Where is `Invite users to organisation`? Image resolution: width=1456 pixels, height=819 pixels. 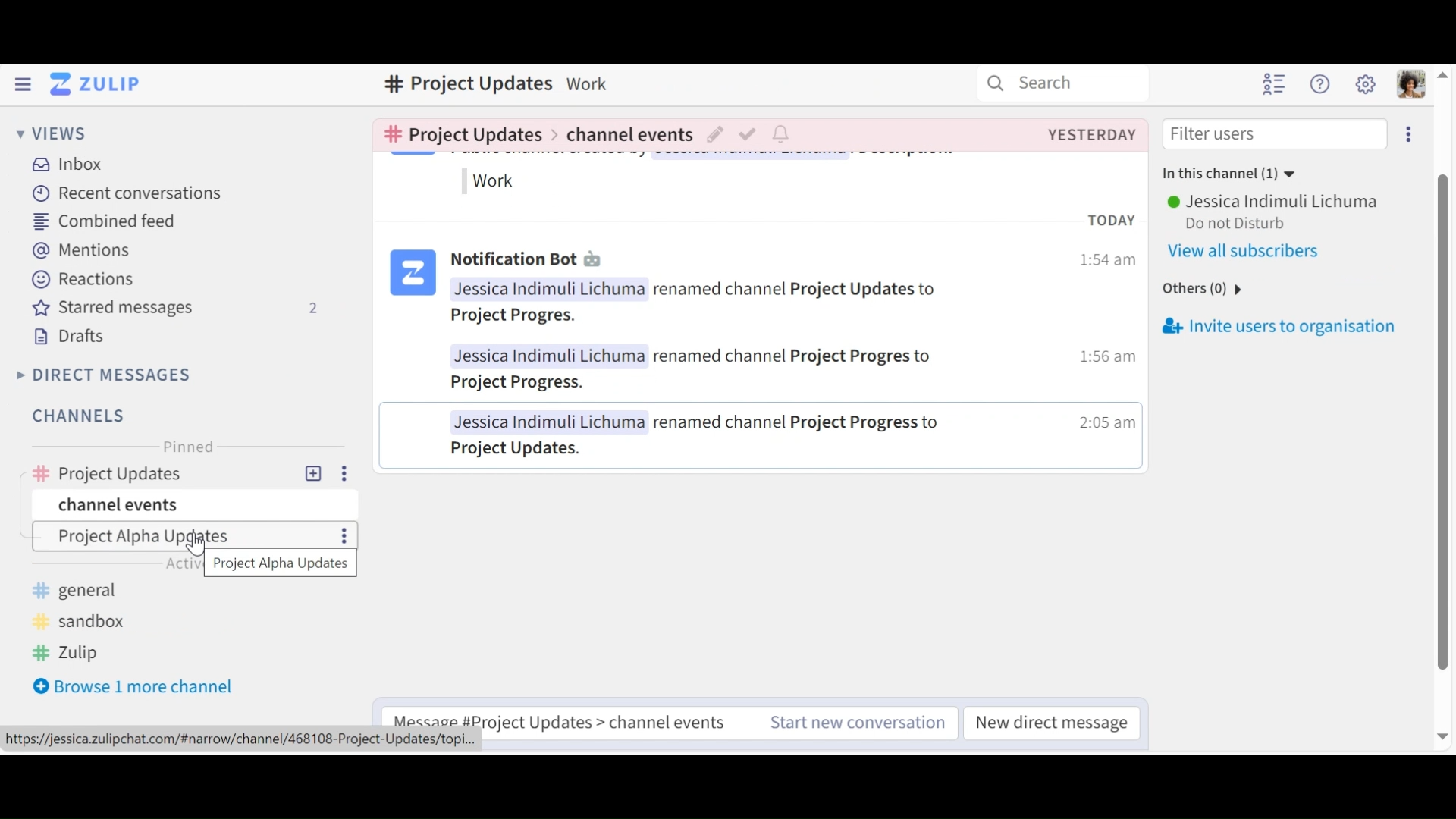
Invite users to organisation is located at coordinates (1409, 134).